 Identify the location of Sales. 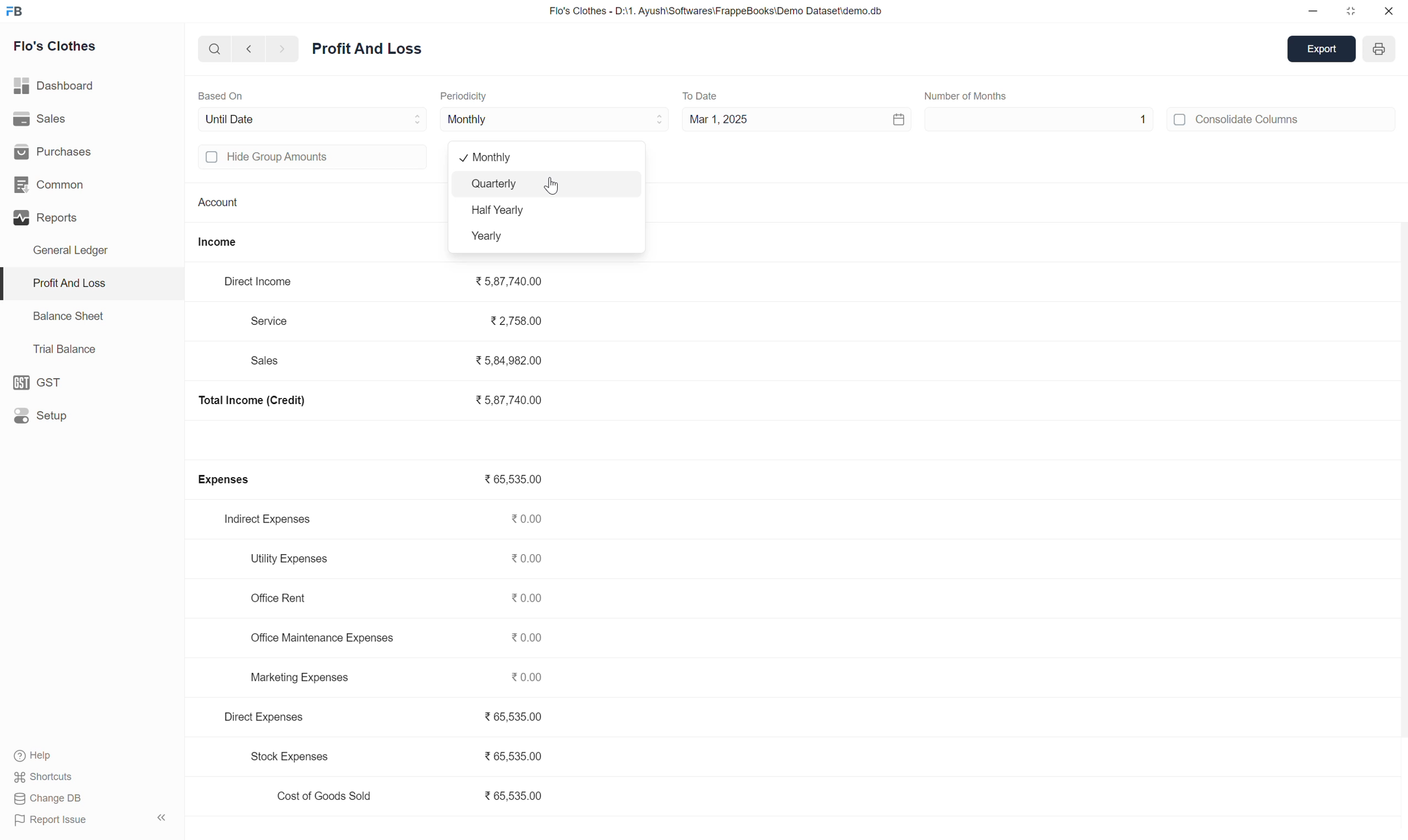
(270, 361).